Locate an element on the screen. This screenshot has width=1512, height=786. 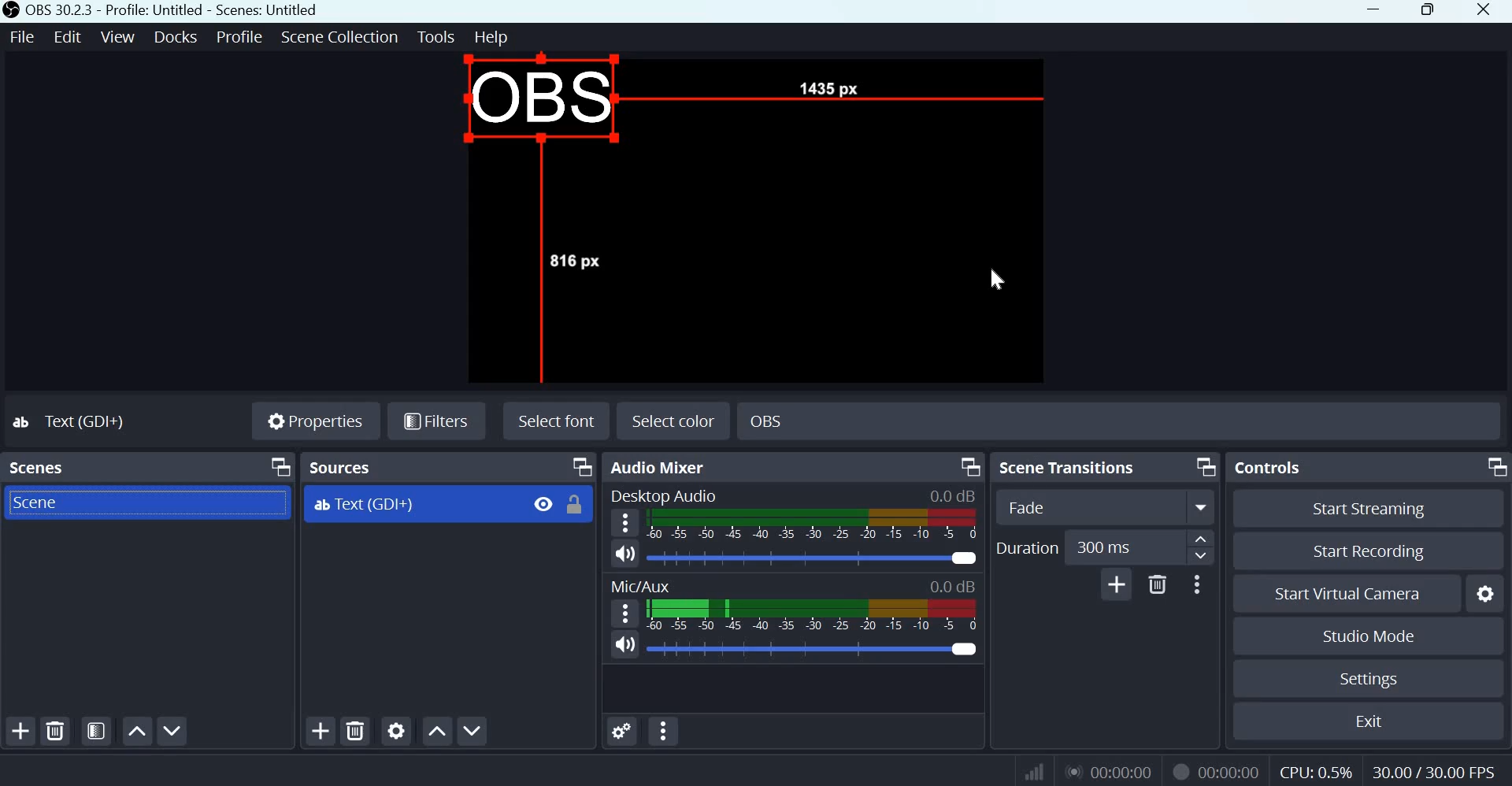
Mic/Aux is located at coordinates (642, 585).